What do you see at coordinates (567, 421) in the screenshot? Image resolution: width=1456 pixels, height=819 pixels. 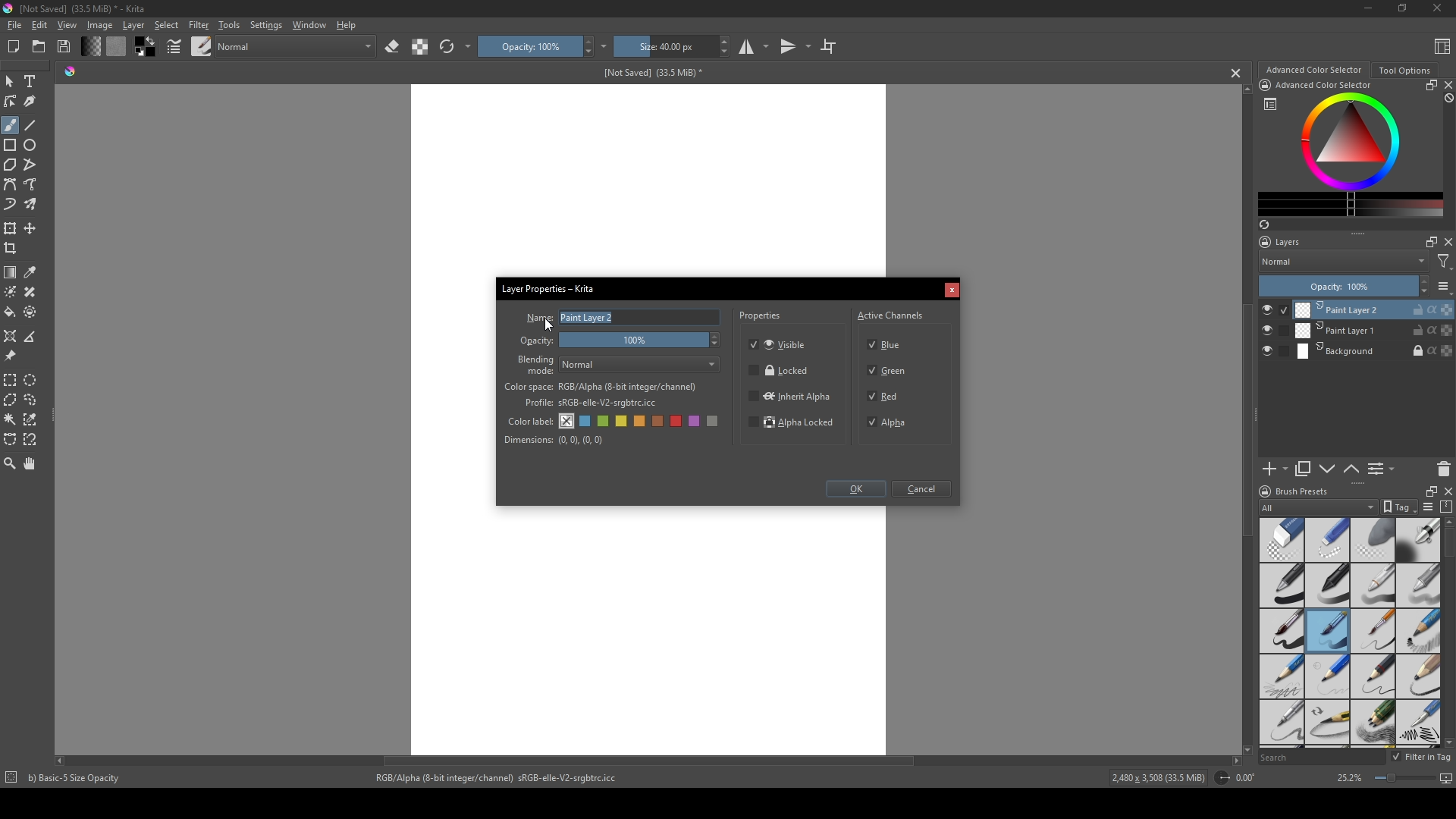 I see `no color` at bounding box center [567, 421].